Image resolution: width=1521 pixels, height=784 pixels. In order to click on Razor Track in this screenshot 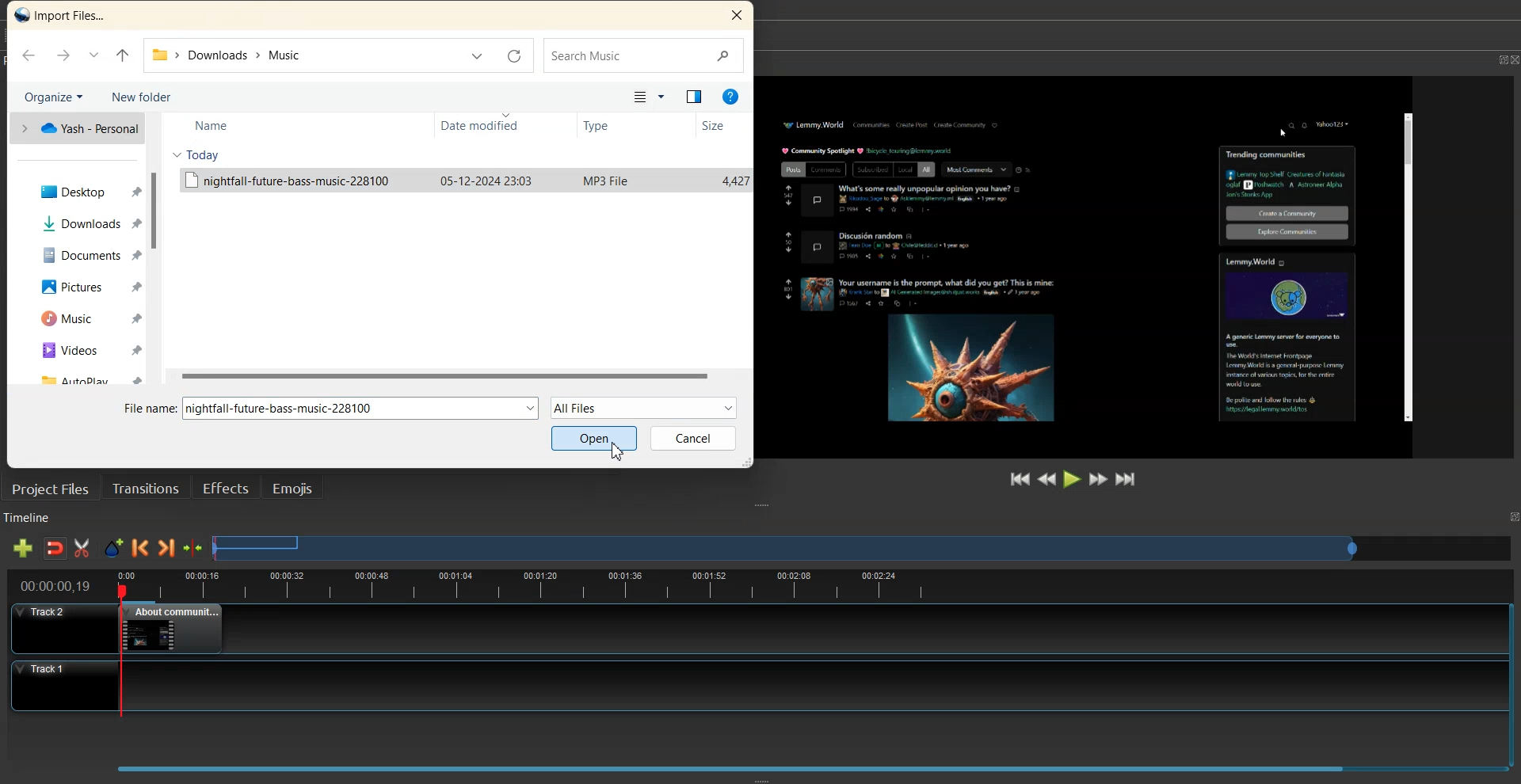, I will do `click(83, 548)`.